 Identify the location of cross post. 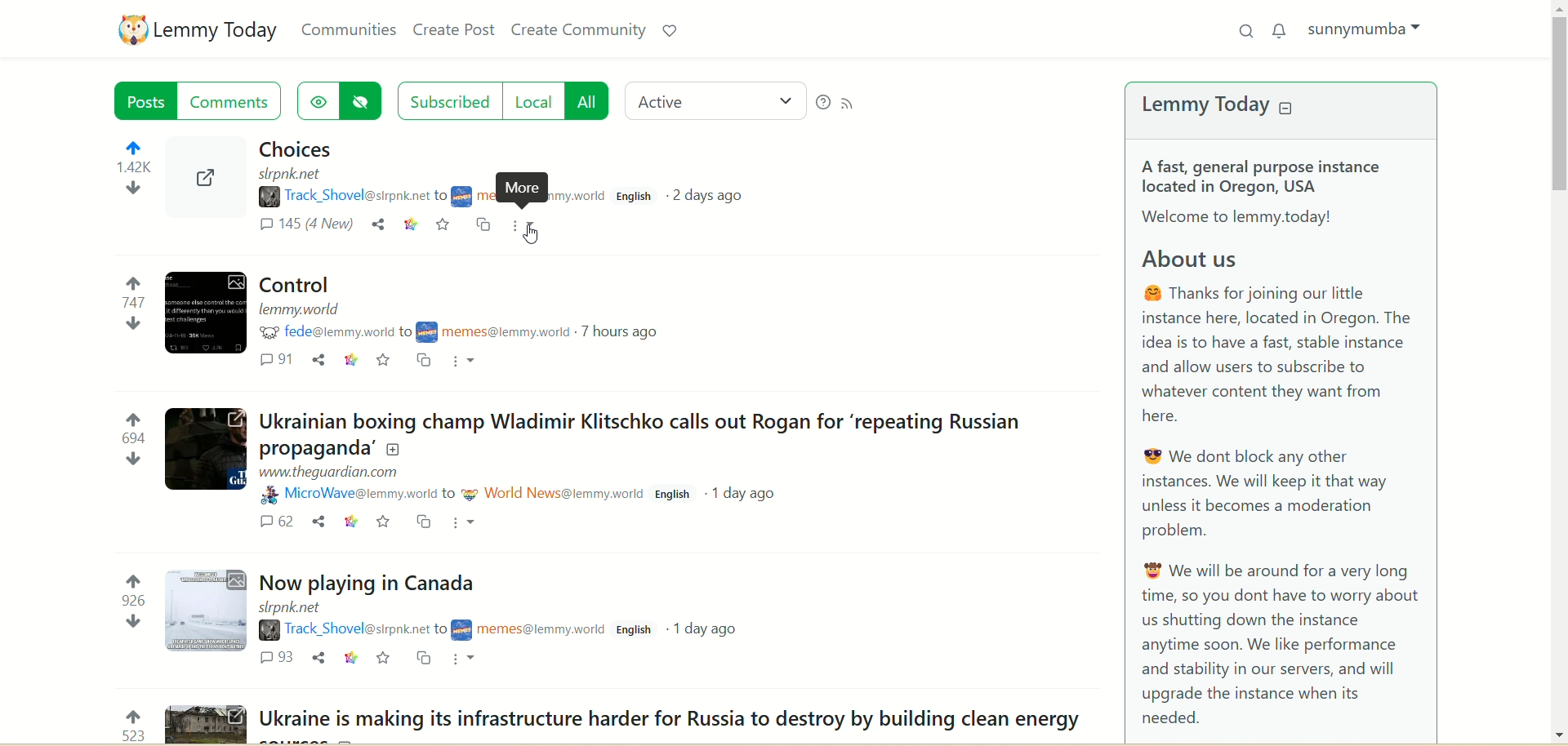
(423, 521).